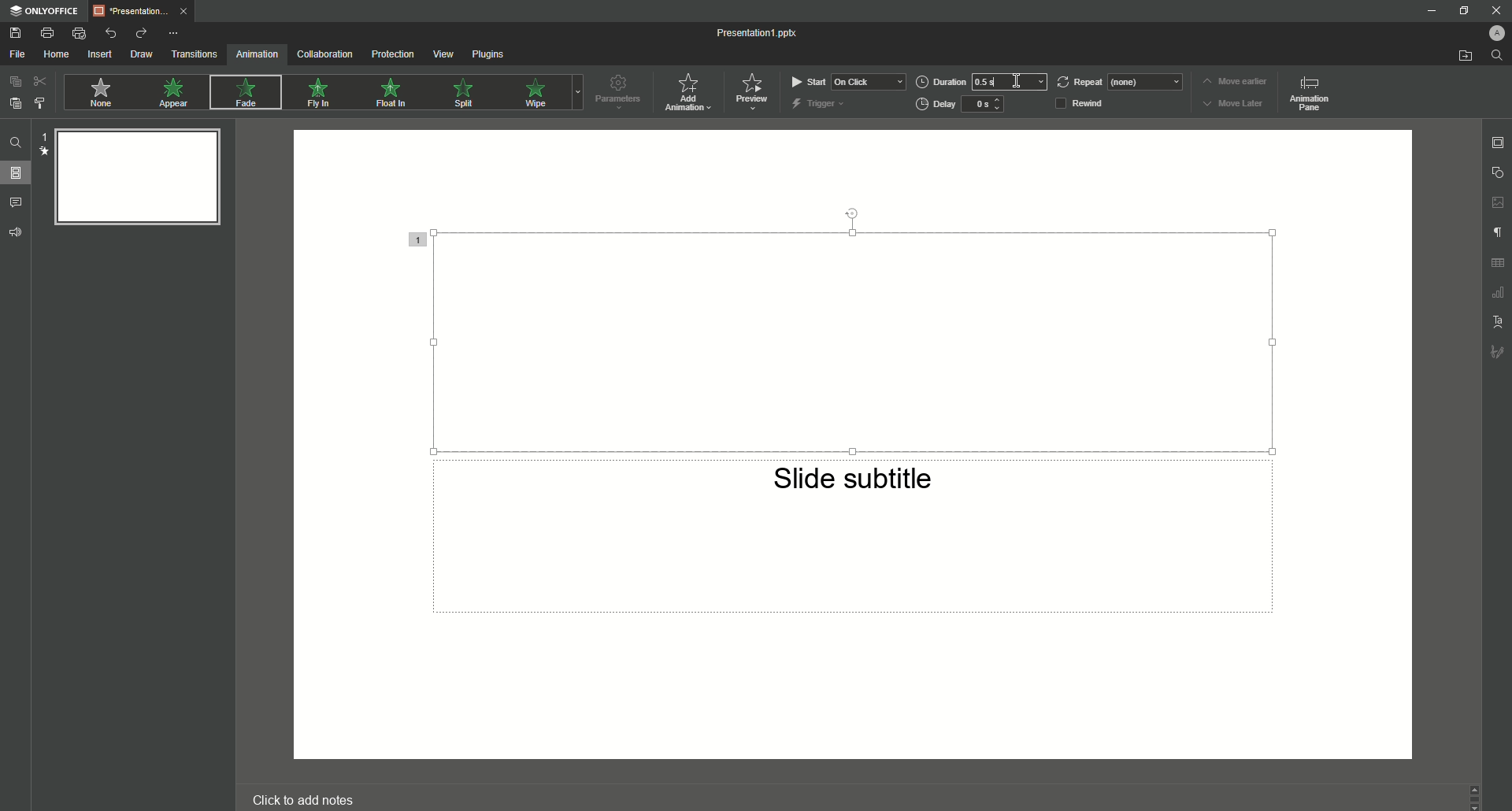  What do you see at coordinates (617, 91) in the screenshot?
I see `Parameters` at bounding box center [617, 91].